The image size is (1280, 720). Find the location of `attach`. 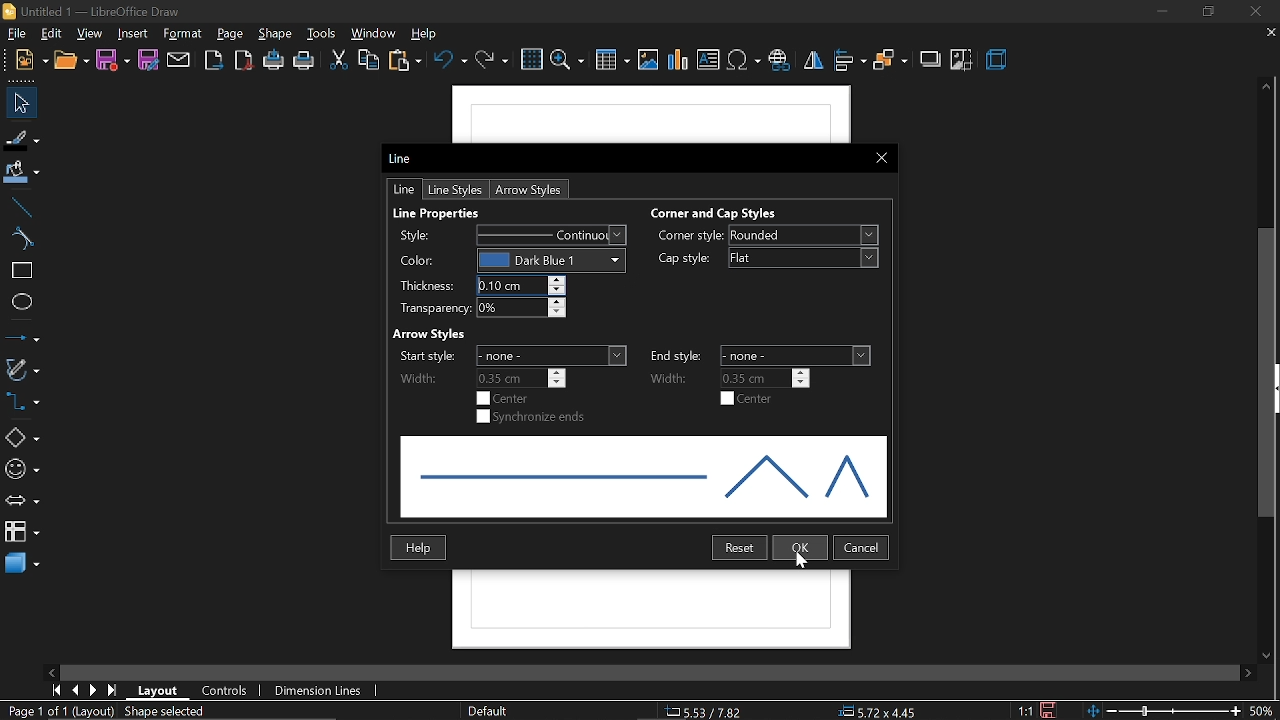

attach is located at coordinates (178, 61).